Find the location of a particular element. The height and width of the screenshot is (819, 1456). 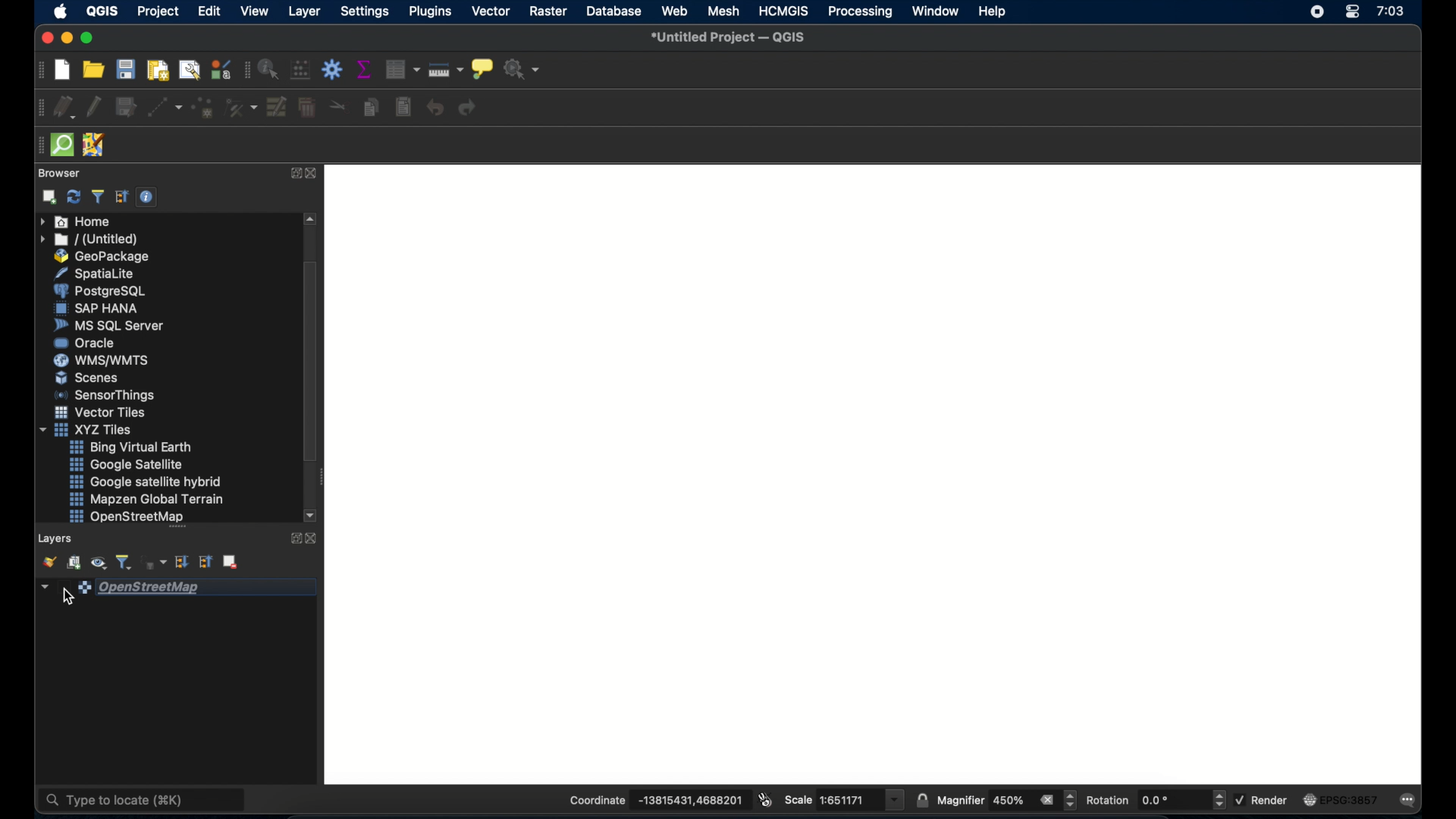

HCMGIS is located at coordinates (783, 11).